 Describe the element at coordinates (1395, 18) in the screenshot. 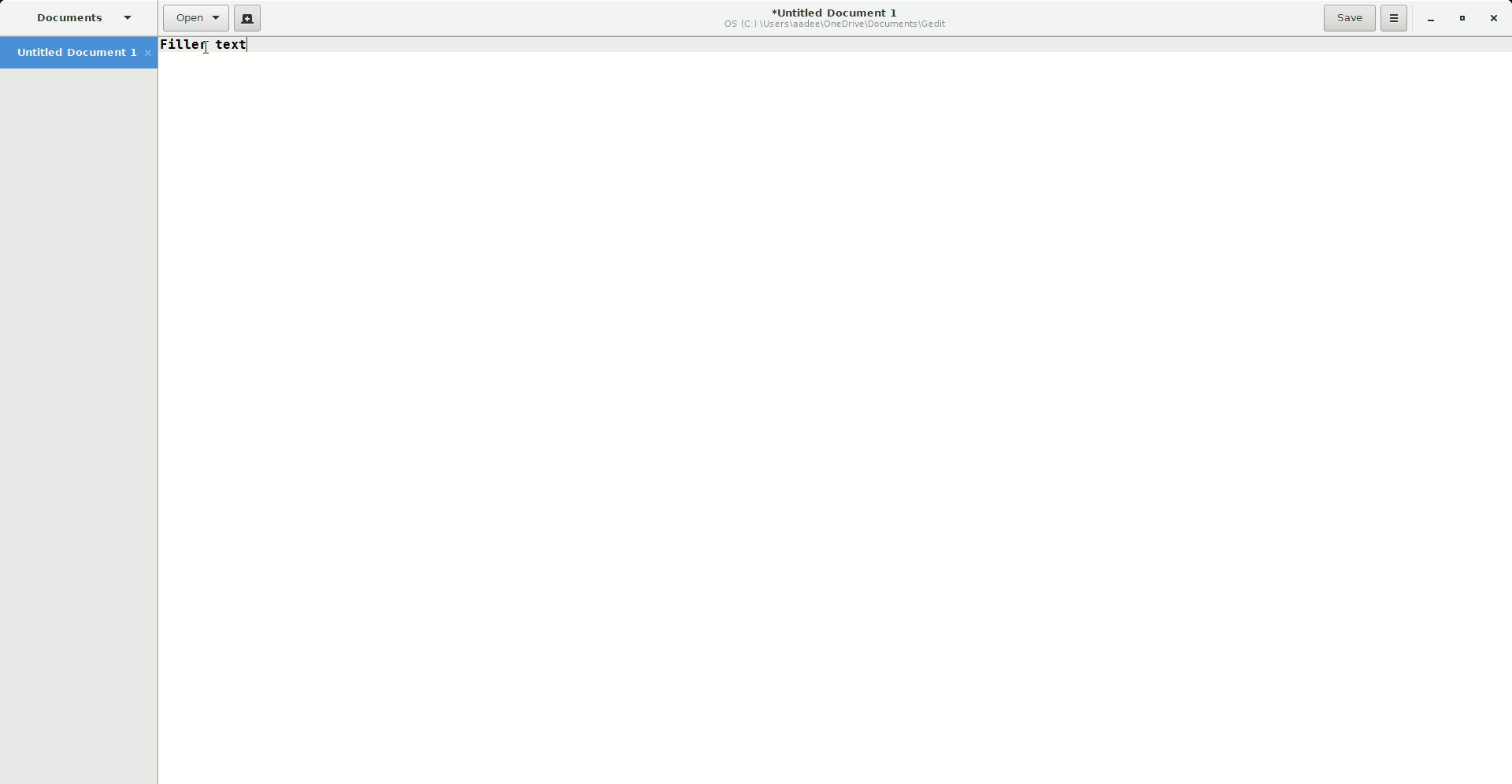

I see `Options` at that location.